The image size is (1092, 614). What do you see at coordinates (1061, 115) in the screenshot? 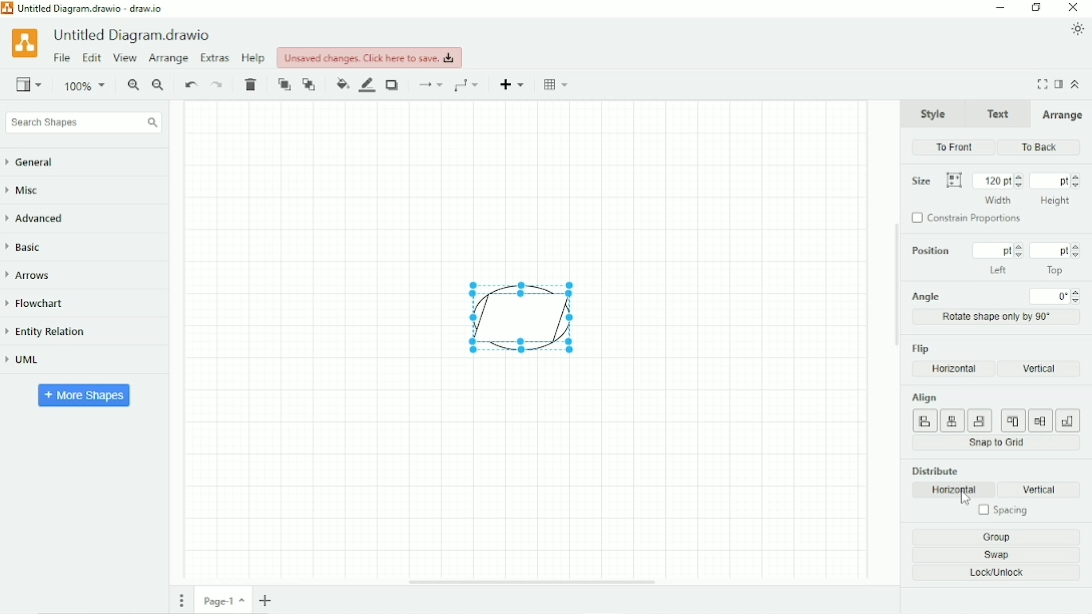
I see `Arrange` at bounding box center [1061, 115].